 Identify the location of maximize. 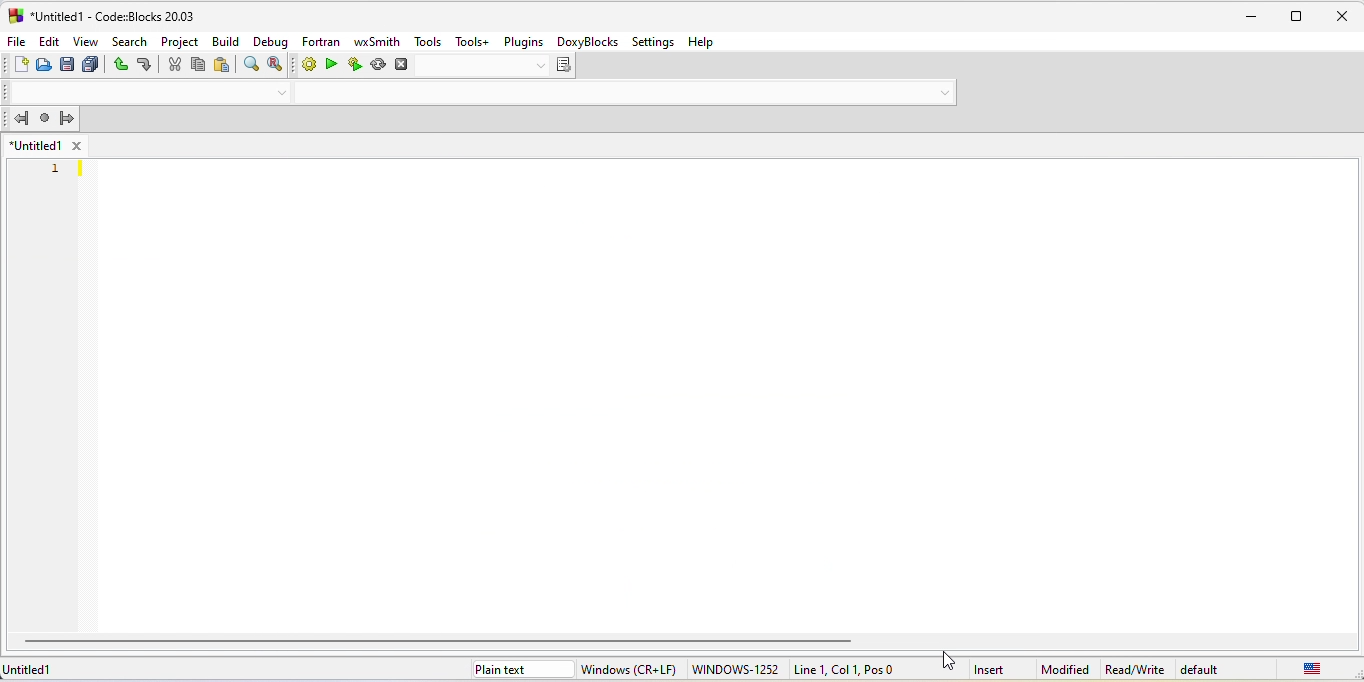
(1297, 17).